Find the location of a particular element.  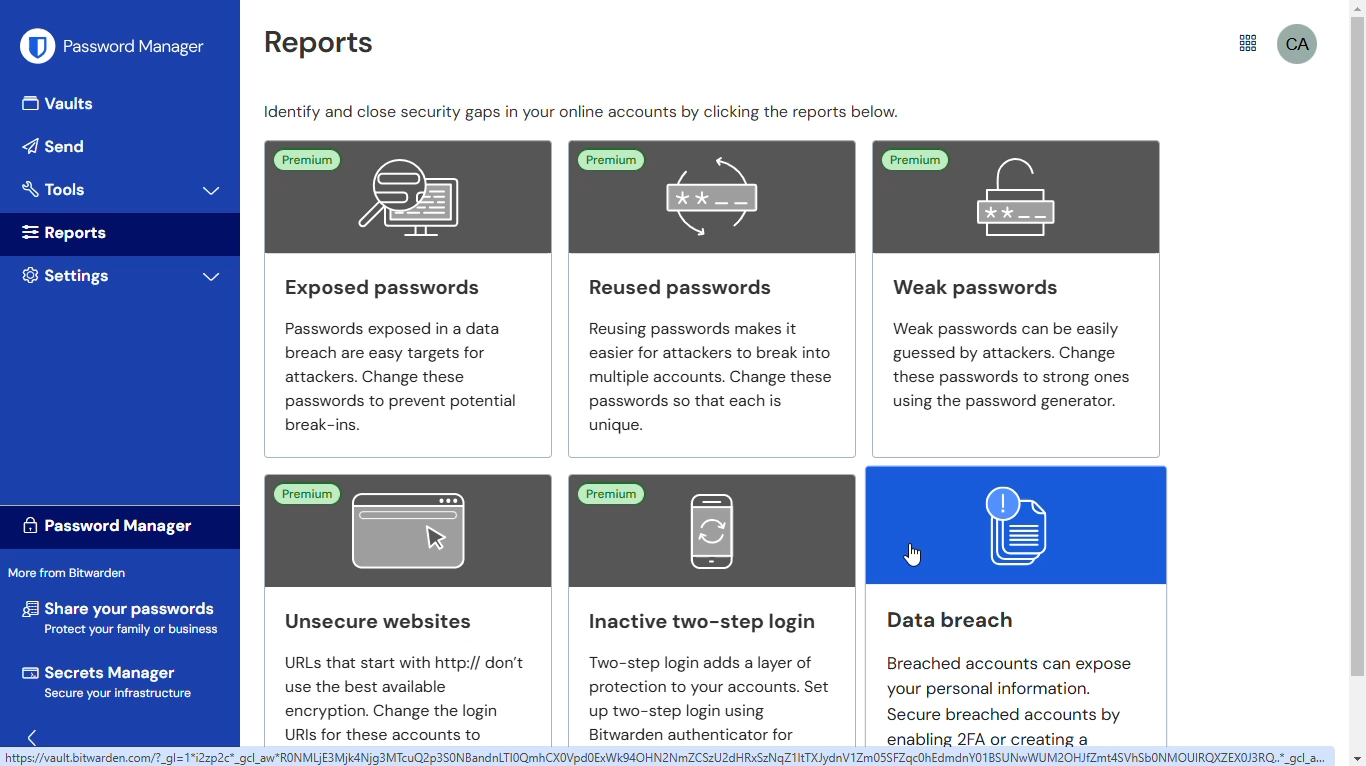

https://vault.bitwarden.com/?_gl=1*i2zp2c*_gcl_aw*ronmlje3mjk4njg3mtcuq2pn2nmzcszu2dhrxsznqz1lttxjydnv1zm05sfzqc0hedmdny01bsunwwum20hjfzmt4svhsb0nmouirqxzex0jerq,,*gcla.,,, is located at coordinates (668, 758).